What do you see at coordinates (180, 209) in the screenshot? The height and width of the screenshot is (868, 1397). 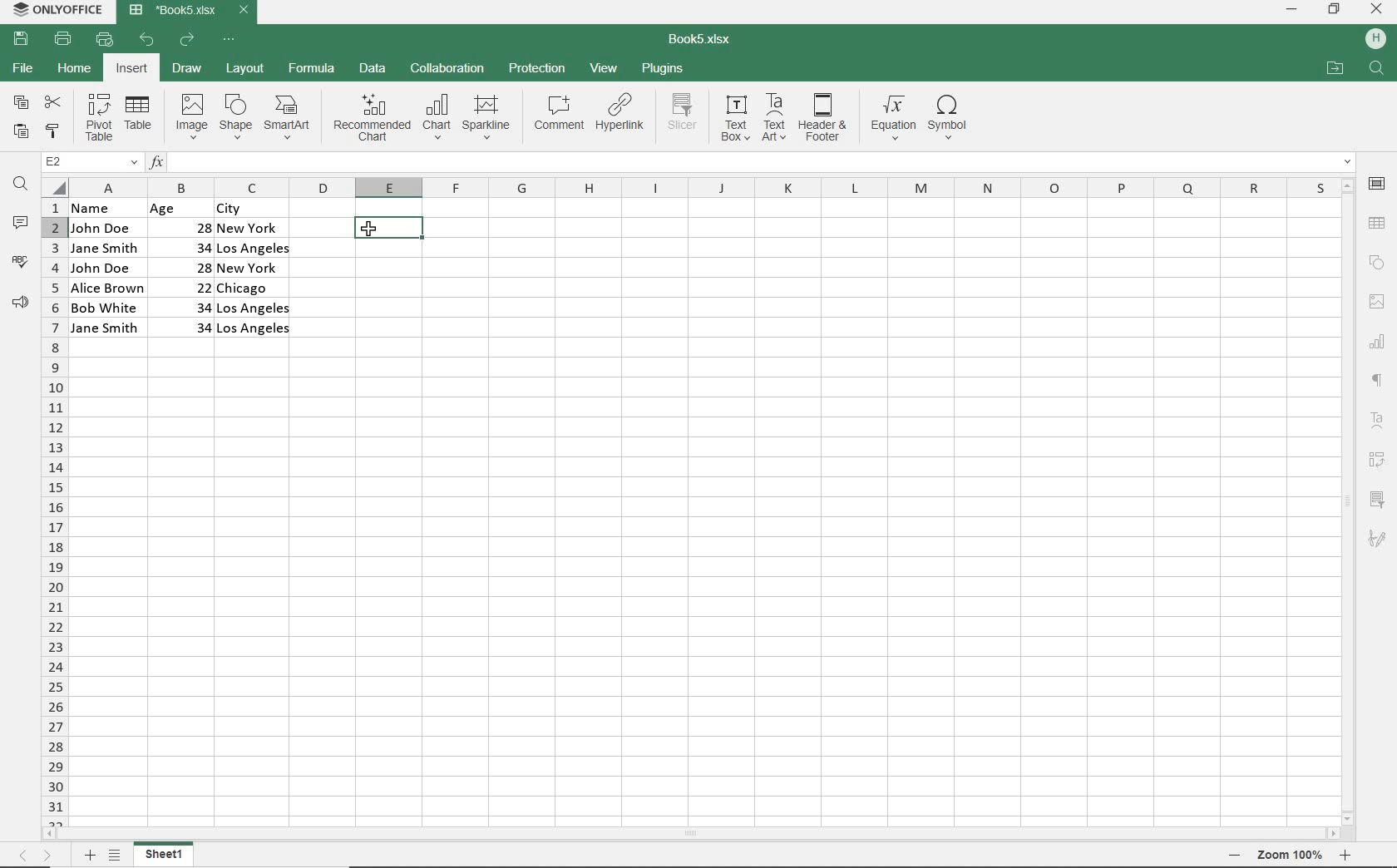 I see `Age` at bounding box center [180, 209].